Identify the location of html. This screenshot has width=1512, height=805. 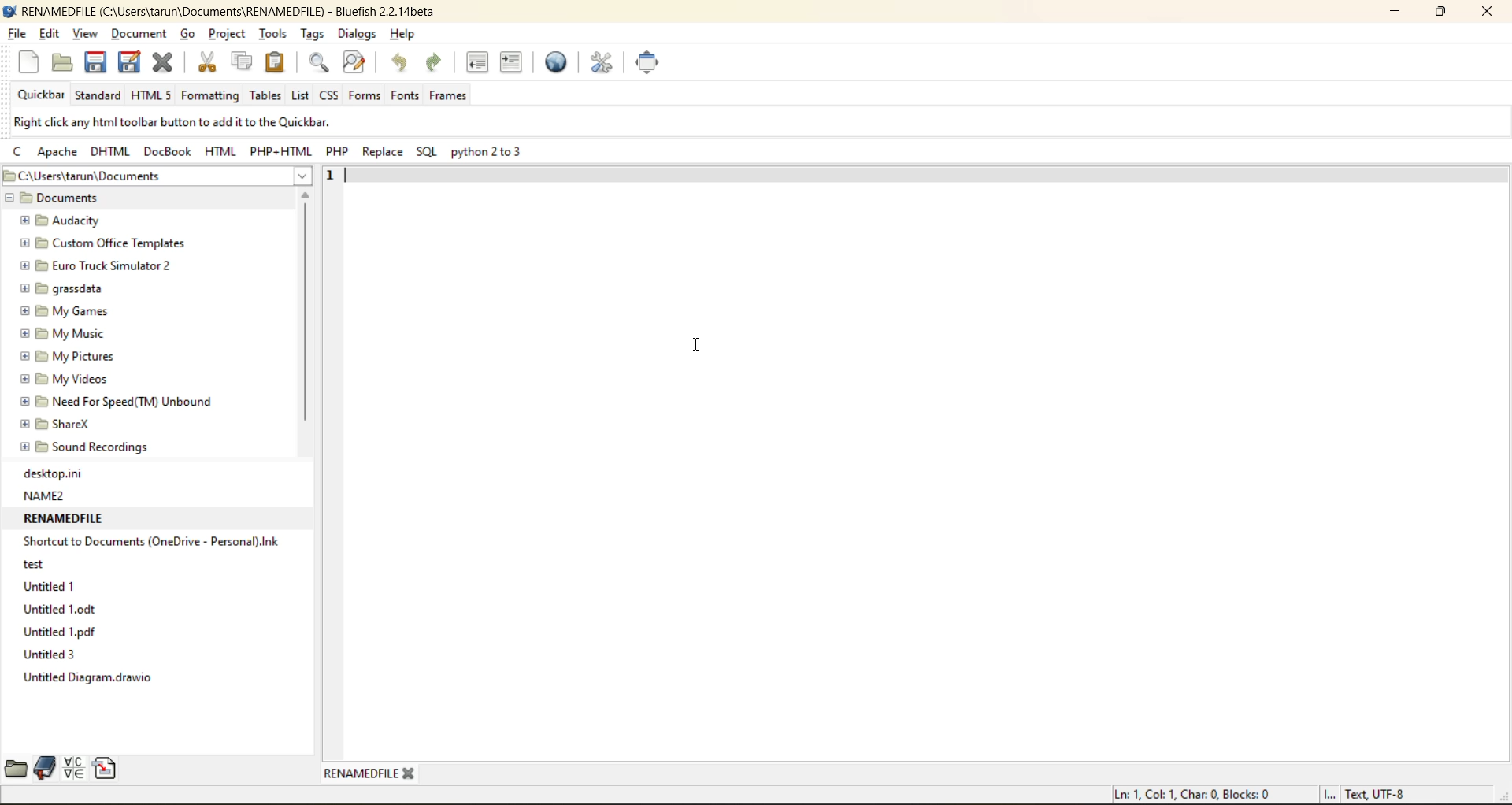
(220, 152).